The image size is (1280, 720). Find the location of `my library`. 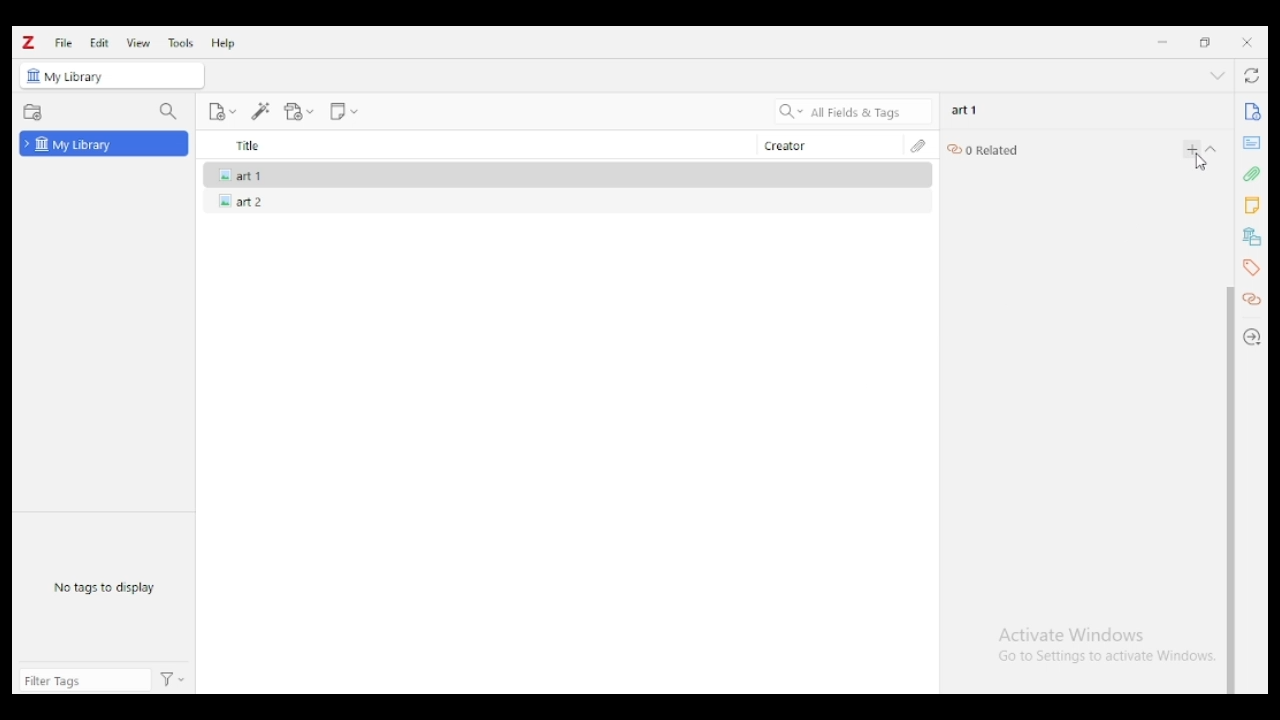

my library is located at coordinates (82, 78).